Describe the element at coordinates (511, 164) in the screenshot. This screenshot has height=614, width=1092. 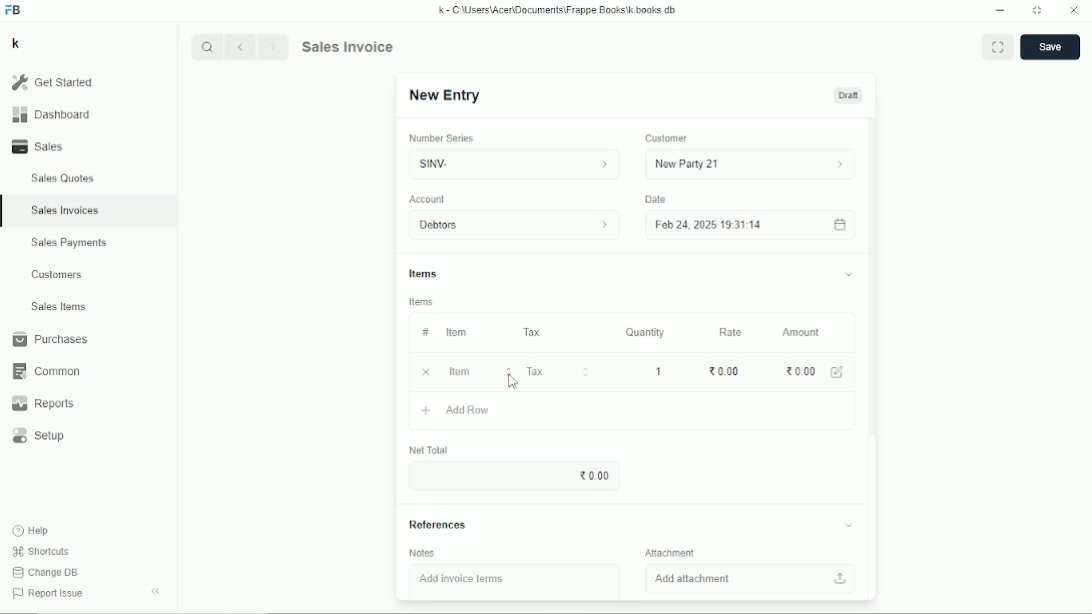
I see `SINV` at that location.